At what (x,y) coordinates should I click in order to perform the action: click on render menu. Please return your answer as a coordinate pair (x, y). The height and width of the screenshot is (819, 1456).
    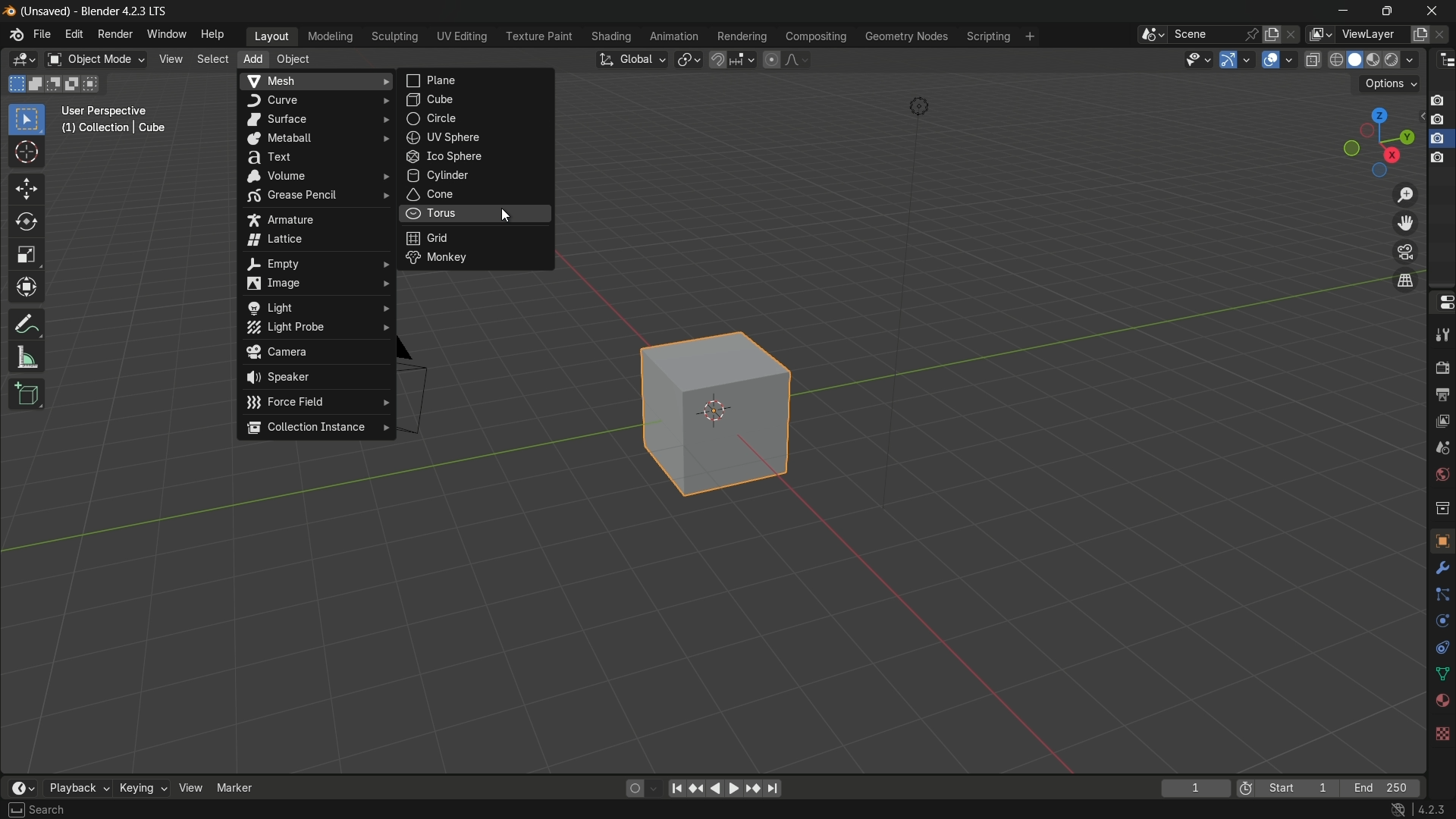
    Looking at the image, I should click on (115, 34).